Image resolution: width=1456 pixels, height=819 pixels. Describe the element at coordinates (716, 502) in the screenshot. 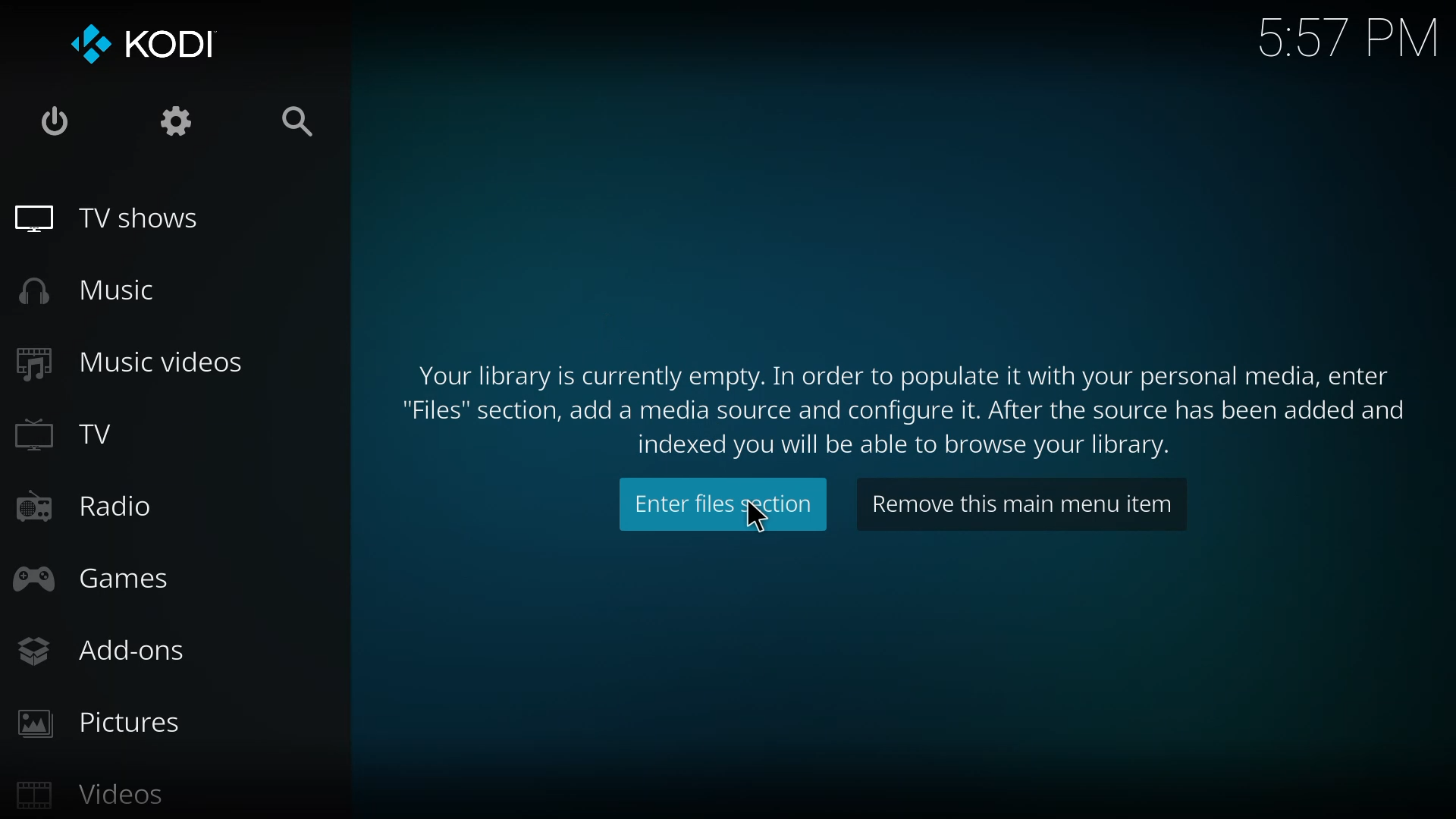

I see `enter files section` at that location.